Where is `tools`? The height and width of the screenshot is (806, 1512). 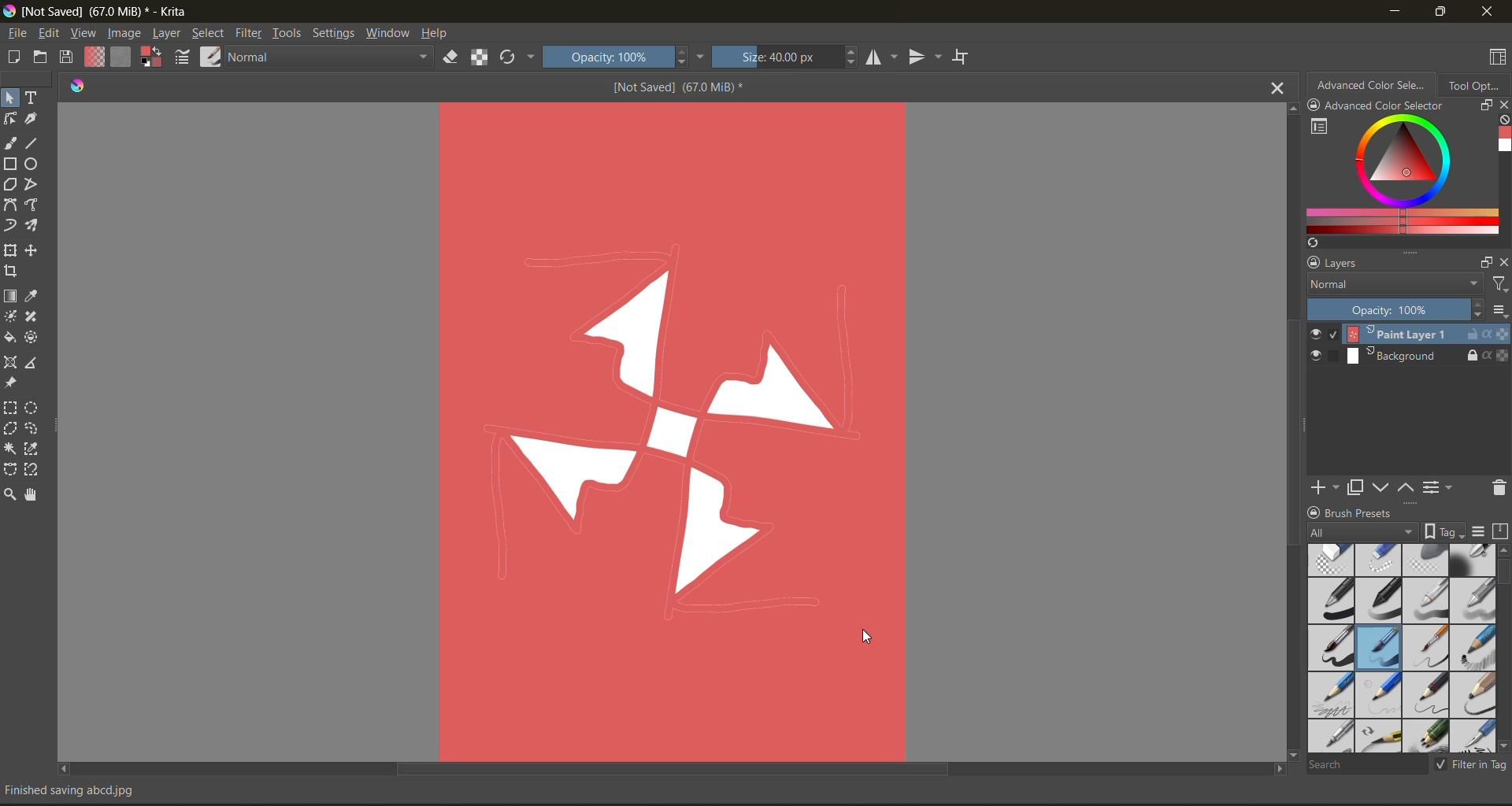
tools is located at coordinates (35, 364).